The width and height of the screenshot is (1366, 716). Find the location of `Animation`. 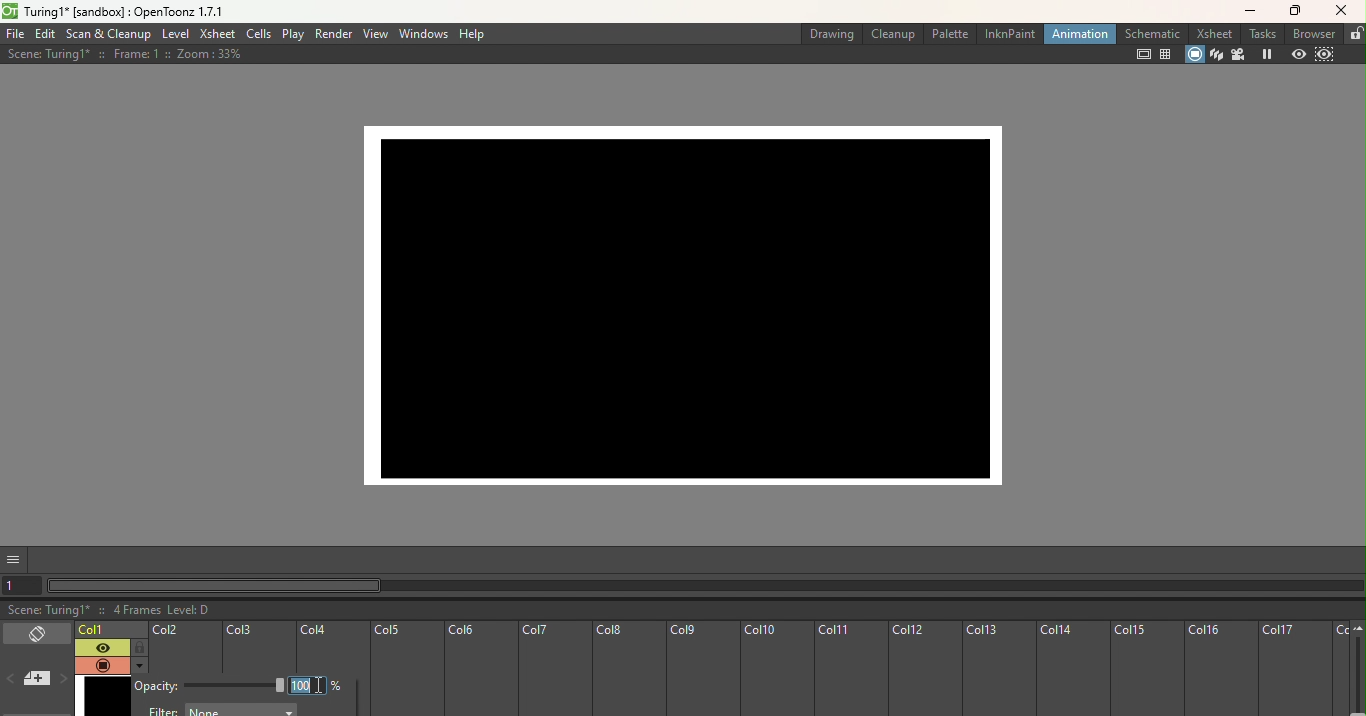

Animation is located at coordinates (1075, 34).